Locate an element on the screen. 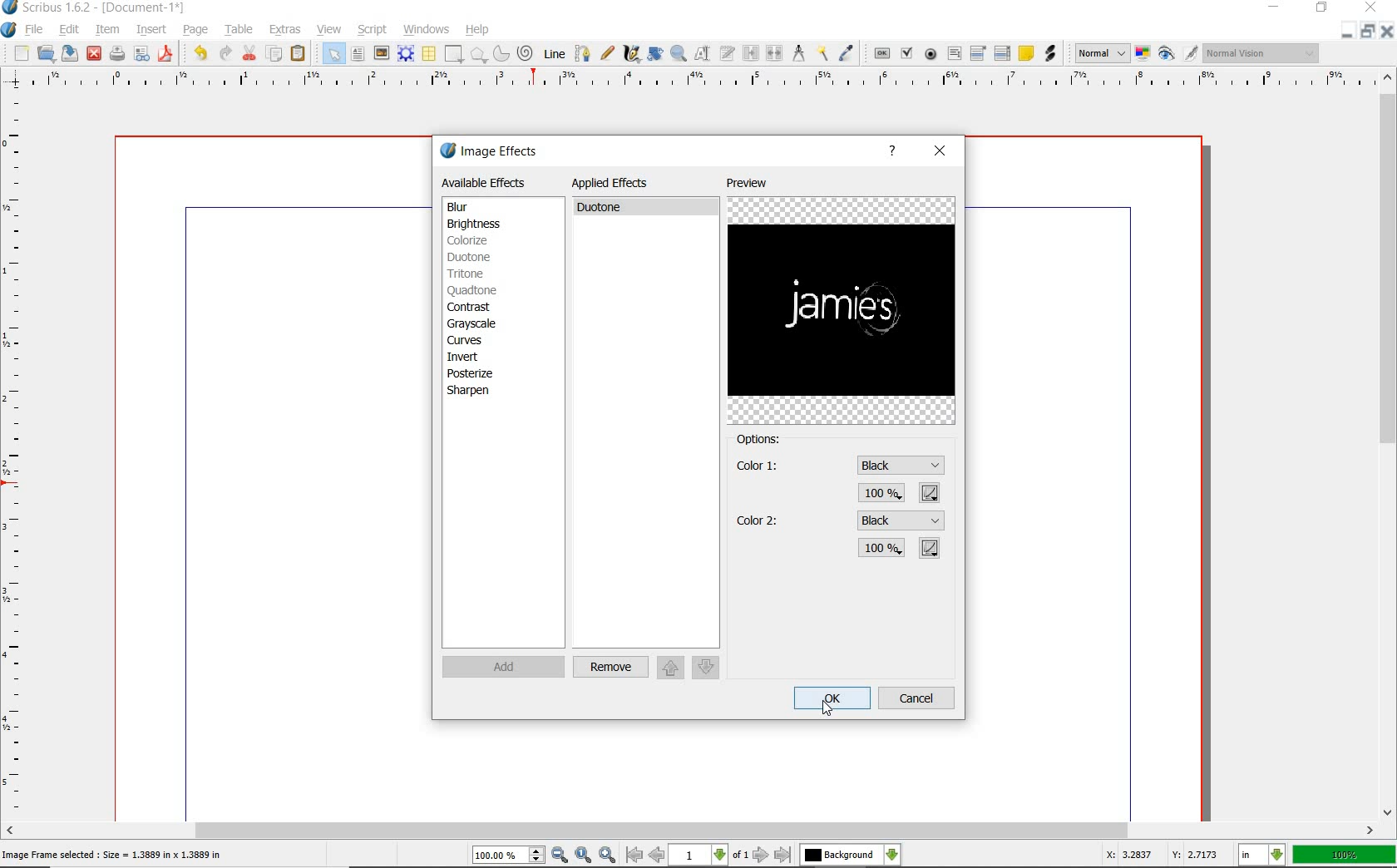 This screenshot has height=868, width=1397. close is located at coordinates (96, 52).